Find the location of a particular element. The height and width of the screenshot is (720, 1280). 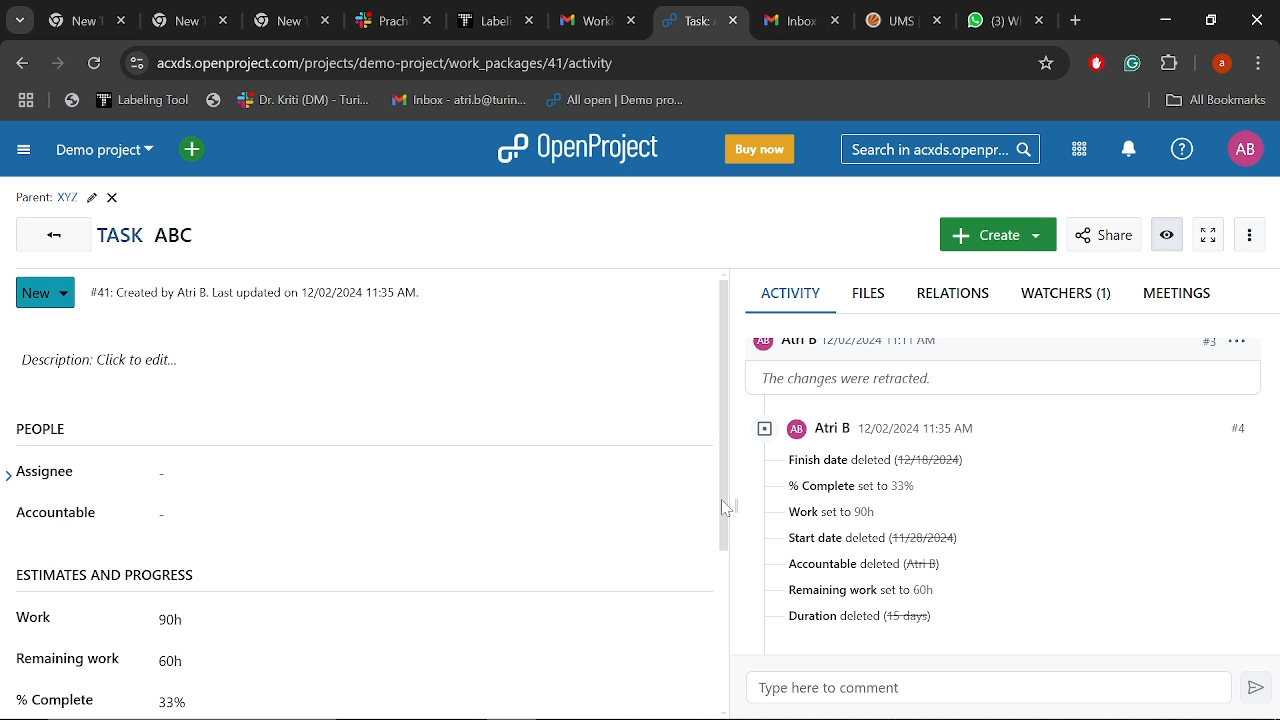

Cite info is located at coordinates (137, 64).